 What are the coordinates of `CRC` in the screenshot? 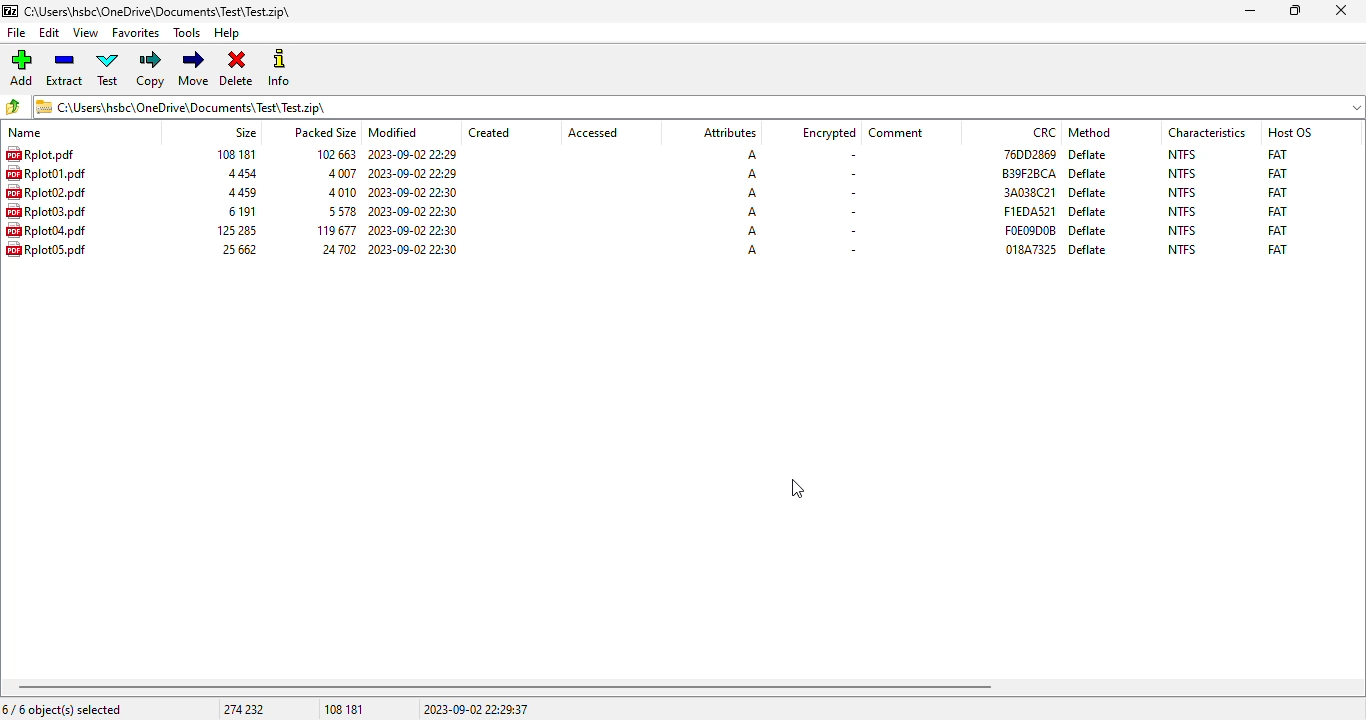 It's located at (1045, 132).